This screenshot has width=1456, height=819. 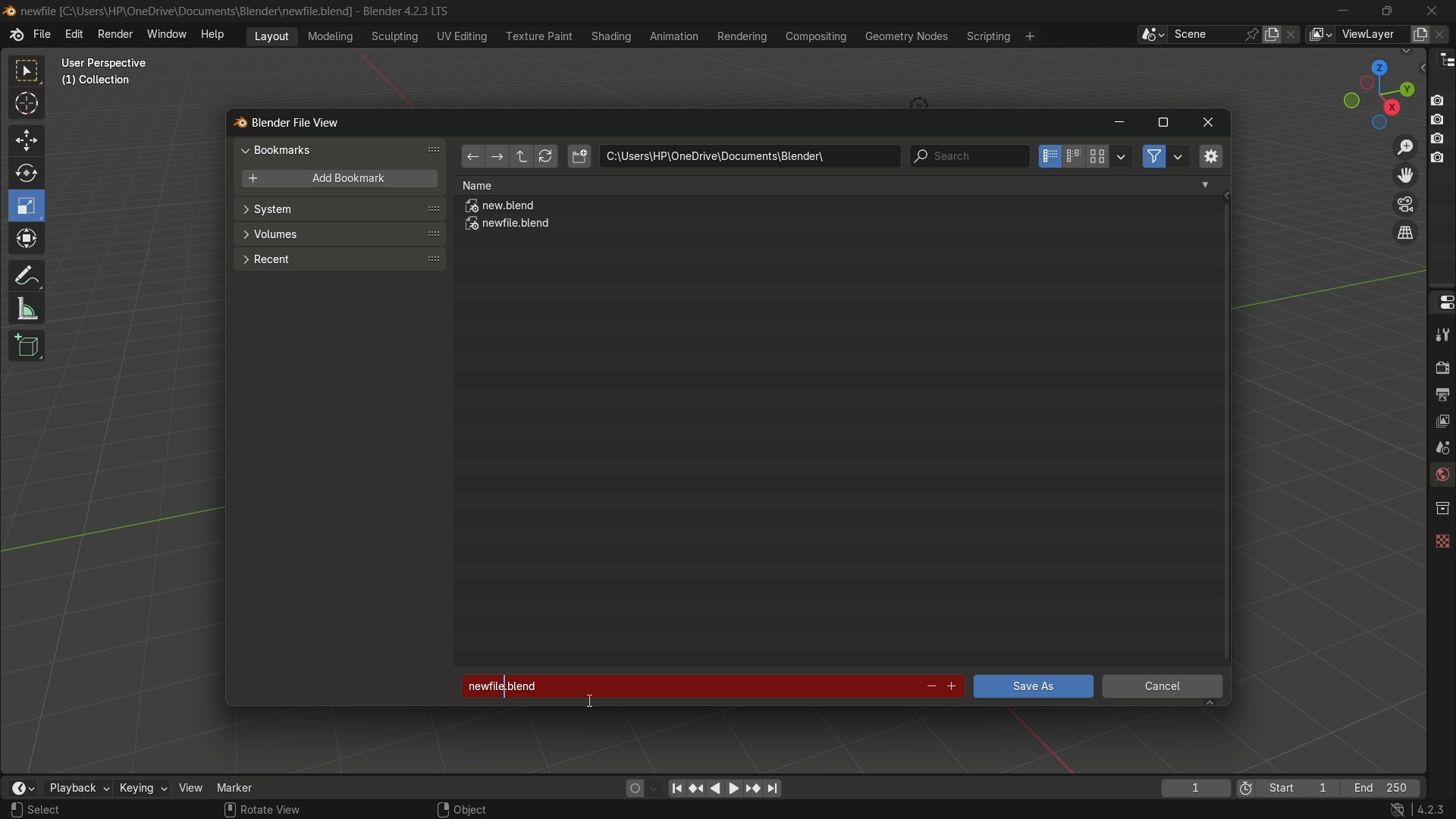 What do you see at coordinates (1293, 34) in the screenshot?
I see `delete scene` at bounding box center [1293, 34].